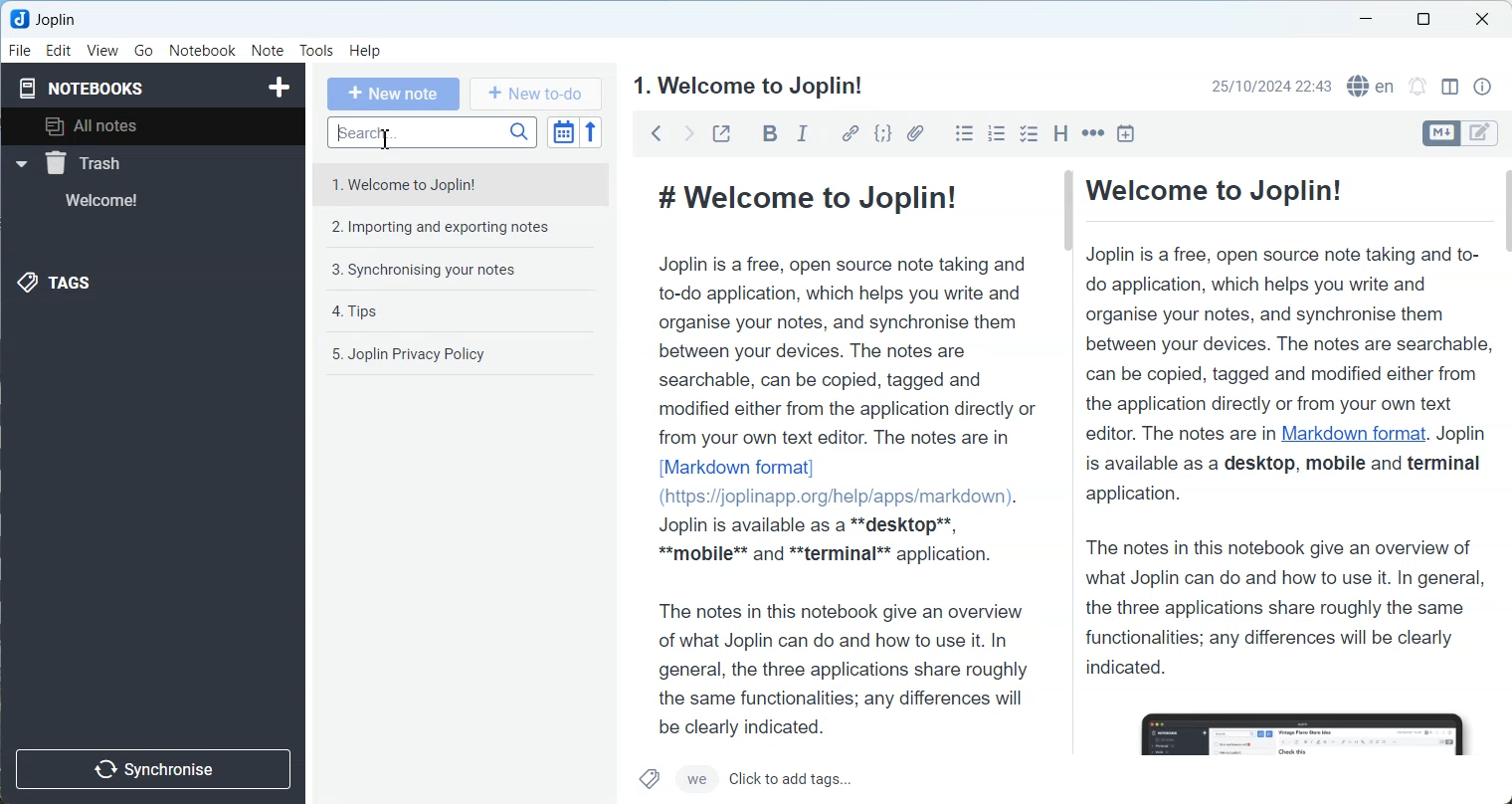 Image resolution: width=1512 pixels, height=804 pixels. Describe the element at coordinates (88, 87) in the screenshot. I see `notebooks` at that location.